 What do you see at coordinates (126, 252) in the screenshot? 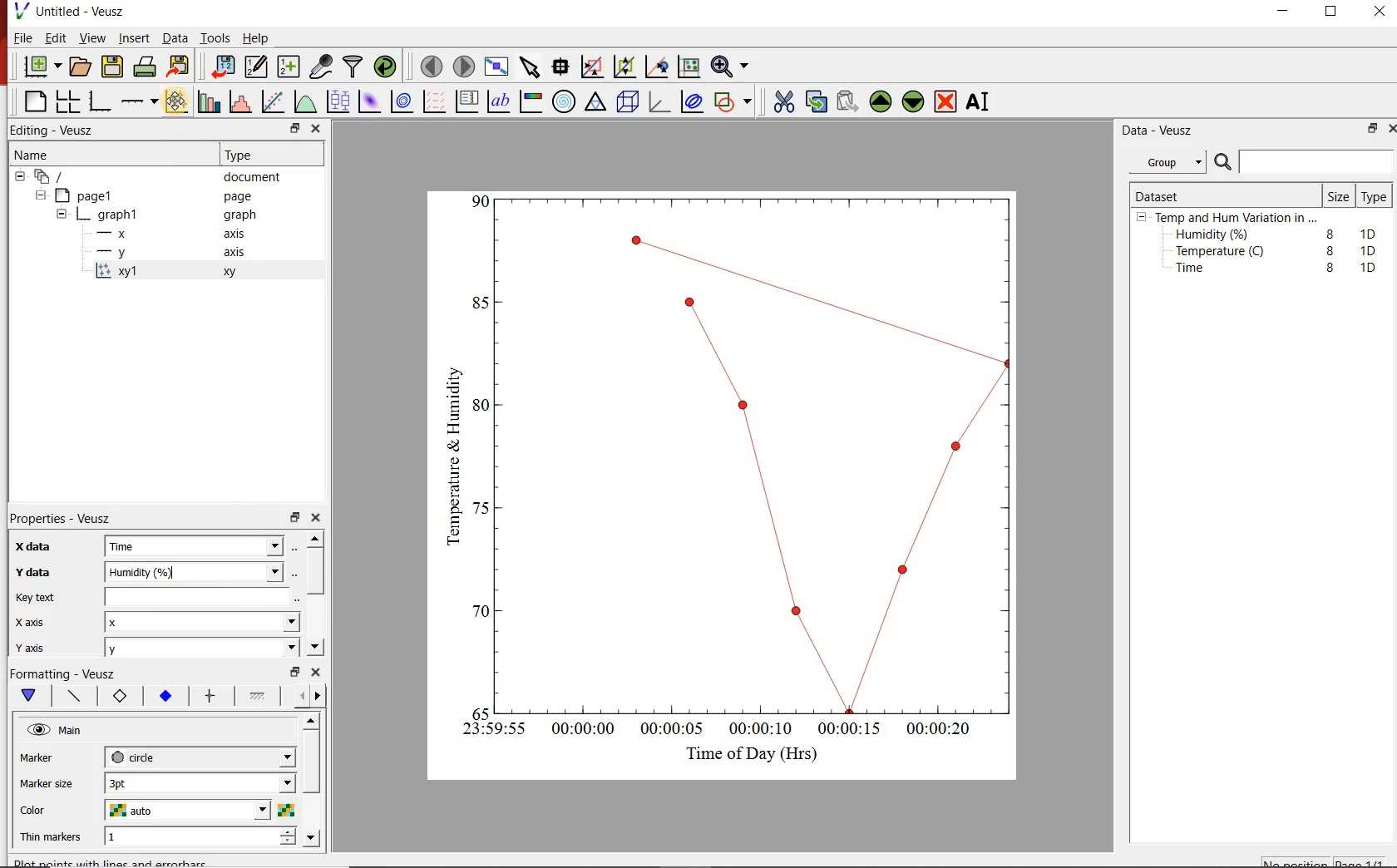
I see `y` at bounding box center [126, 252].